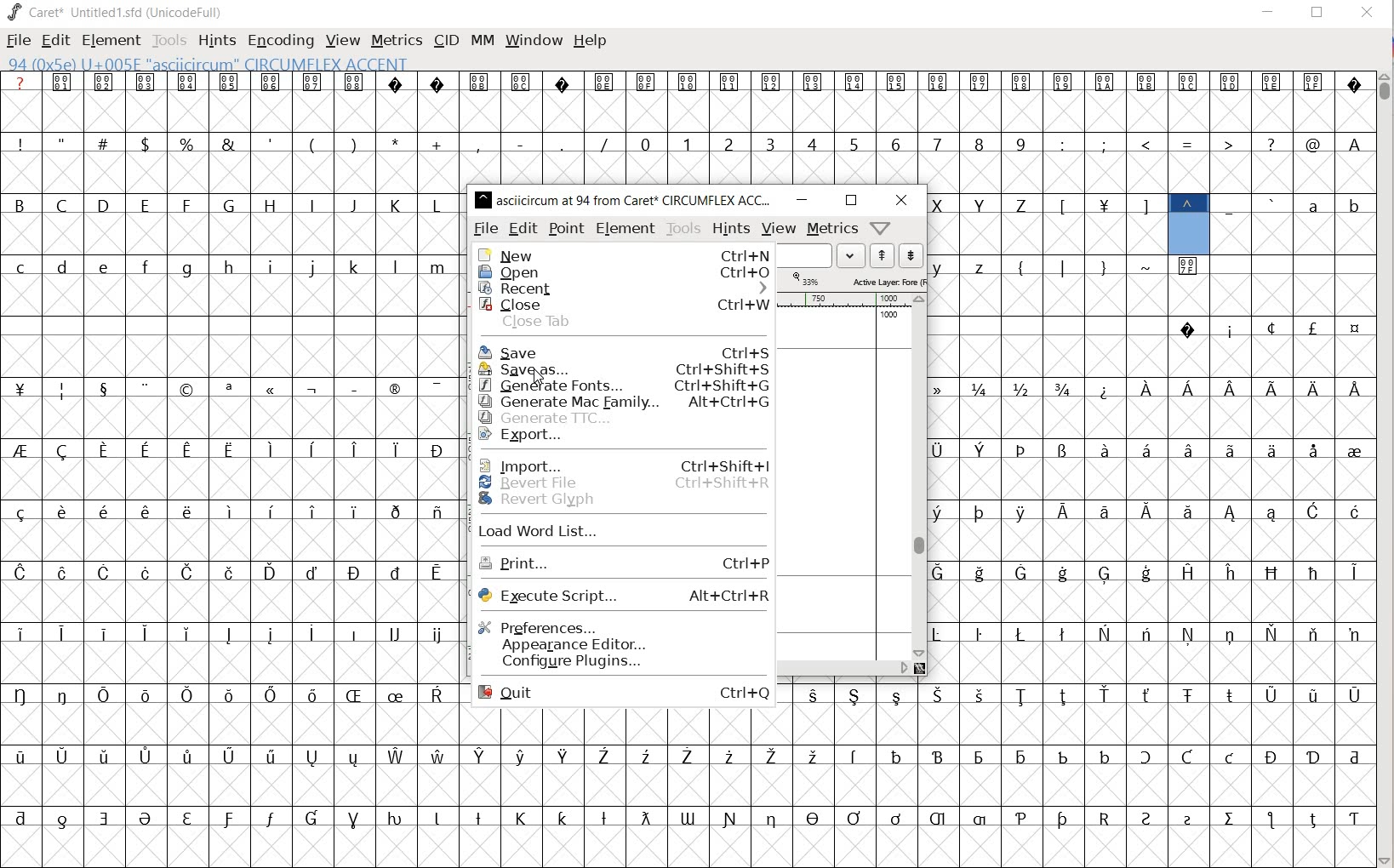  What do you see at coordinates (591, 40) in the screenshot?
I see `HELP` at bounding box center [591, 40].